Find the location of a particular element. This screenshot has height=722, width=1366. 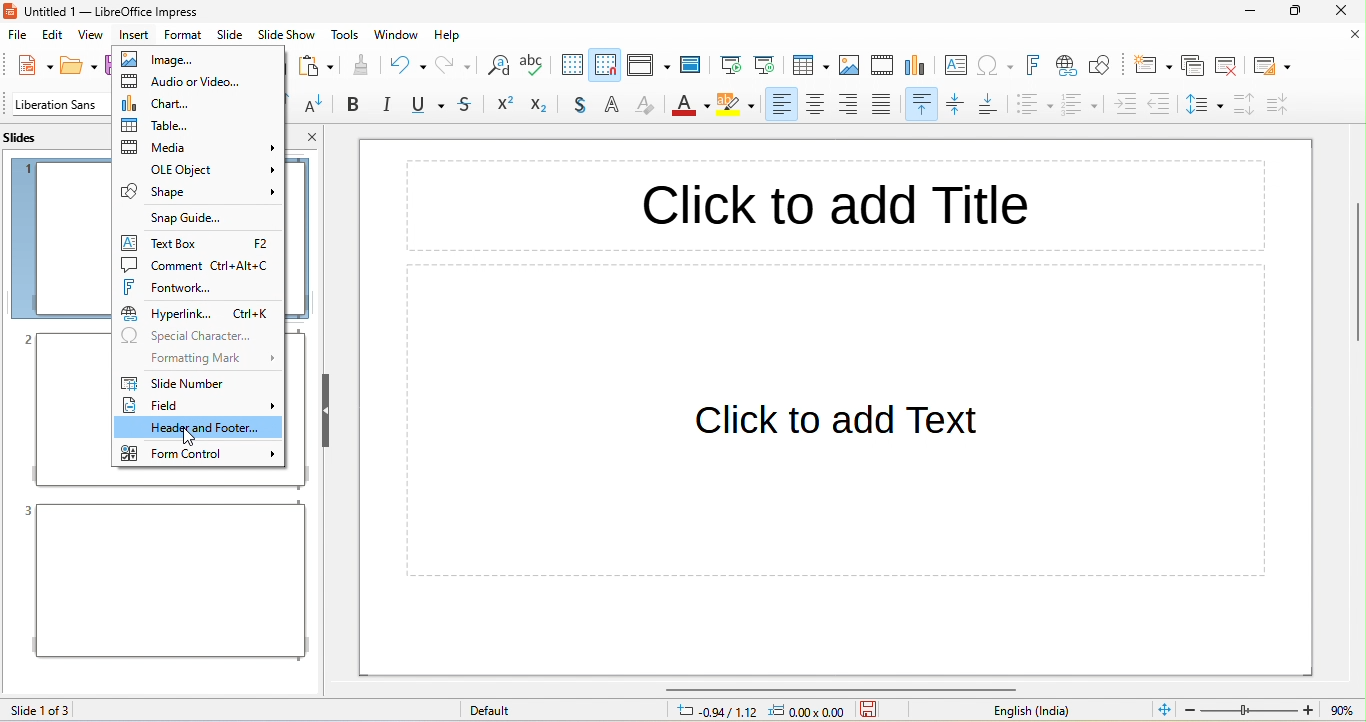

first slide  is located at coordinates (731, 61).